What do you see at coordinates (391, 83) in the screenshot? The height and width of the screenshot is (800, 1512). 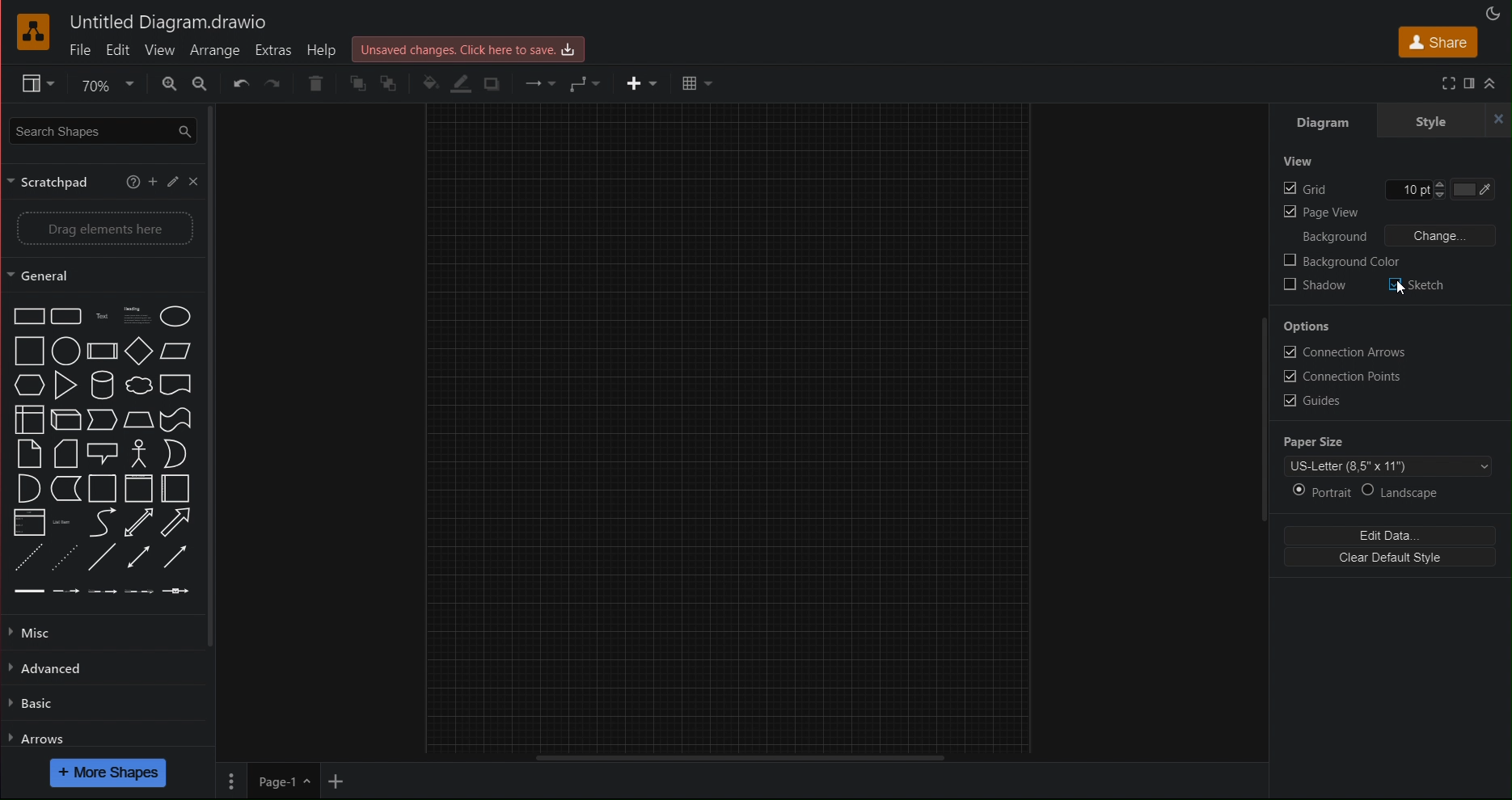 I see `Send Back` at bounding box center [391, 83].